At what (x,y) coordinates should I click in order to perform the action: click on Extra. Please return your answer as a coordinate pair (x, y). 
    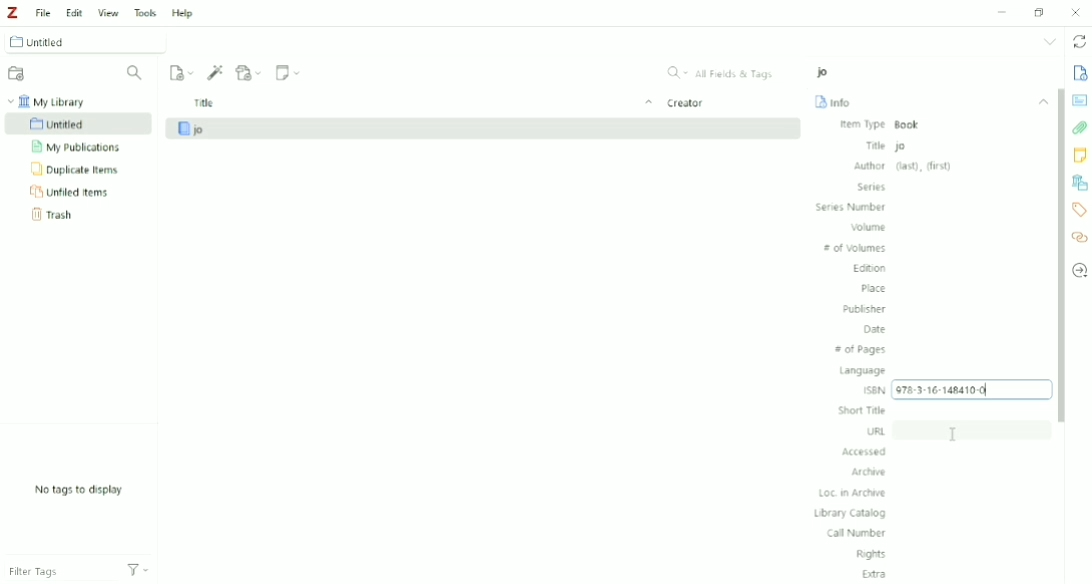
    Looking at the image, I should click on (875, 574).